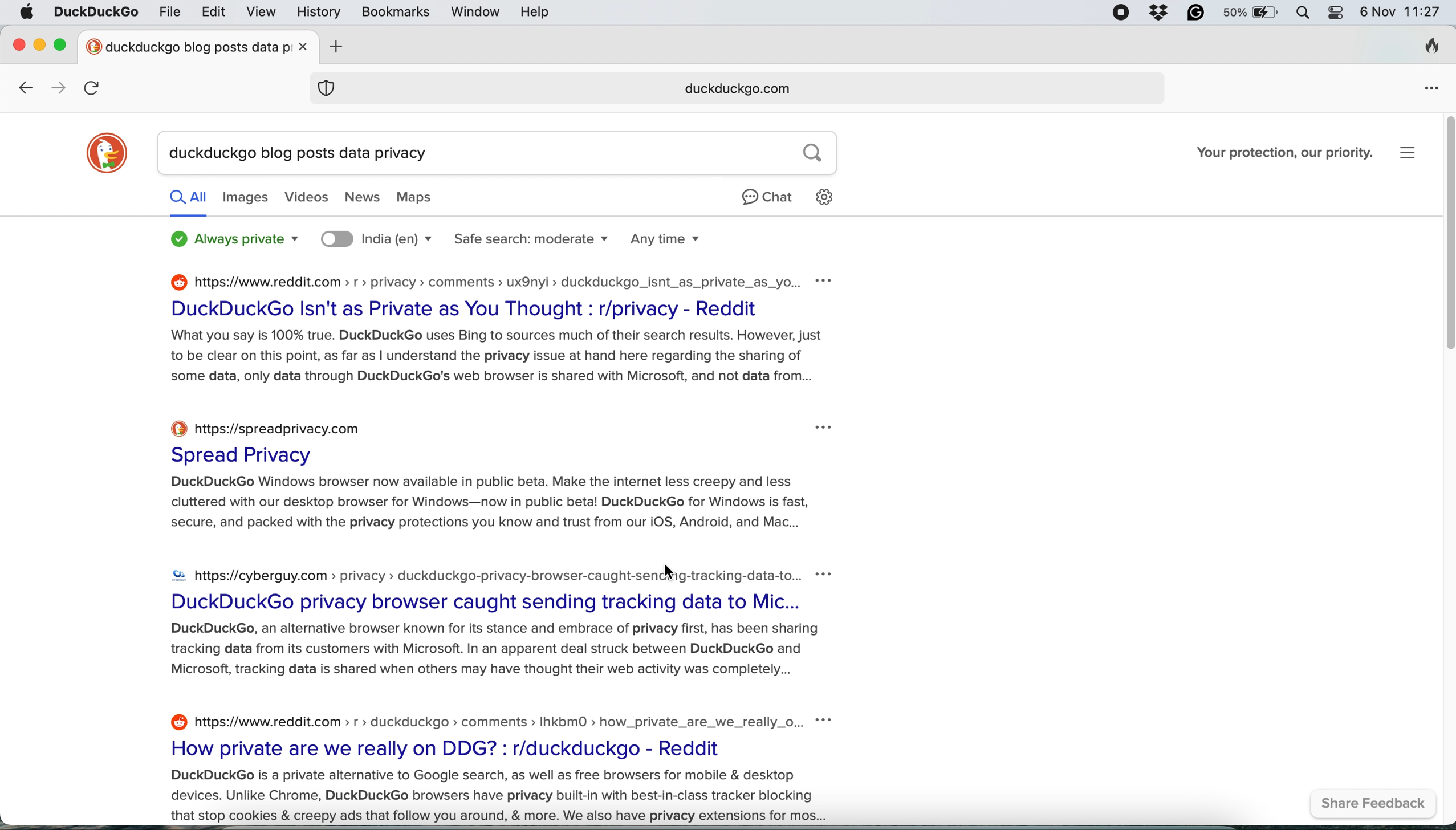 This screenshot has width=1456, height=830. Describe the element at coordinates (1301, 13) in the screenshot. I see `spotlight search` at that location.